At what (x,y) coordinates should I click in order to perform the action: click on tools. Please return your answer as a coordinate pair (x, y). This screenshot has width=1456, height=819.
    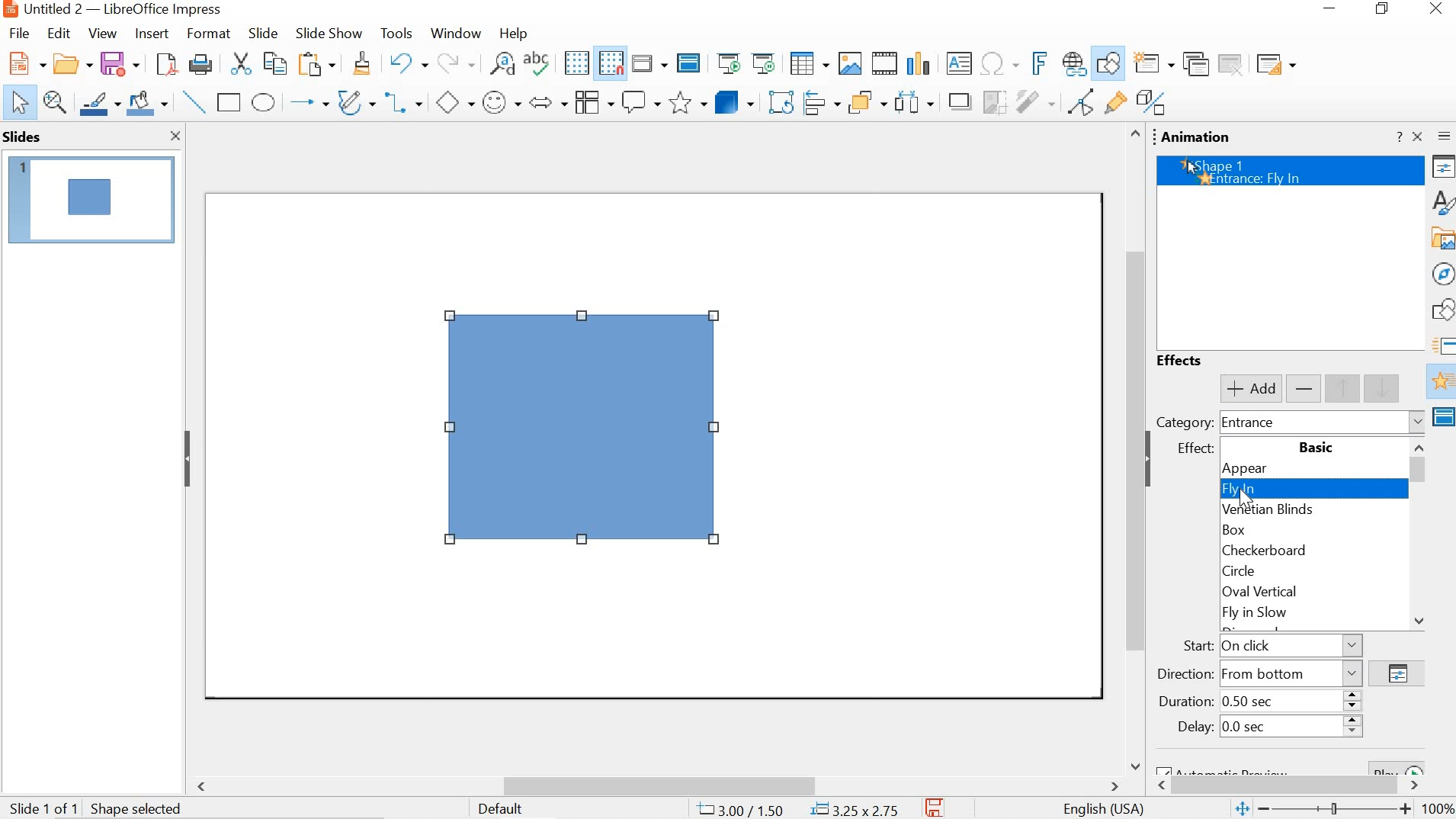
    Looking at the image, I should click on (398, 32).